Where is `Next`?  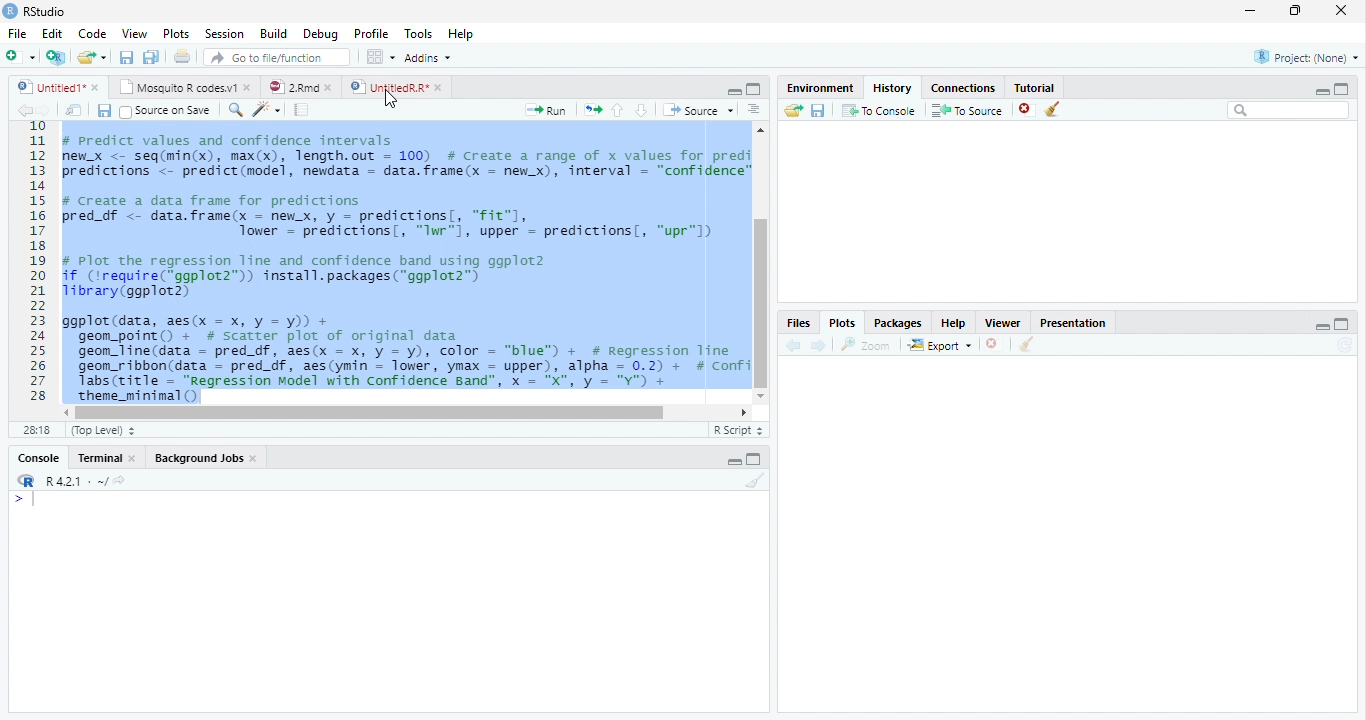
Next is located at coordinates (818, 347).